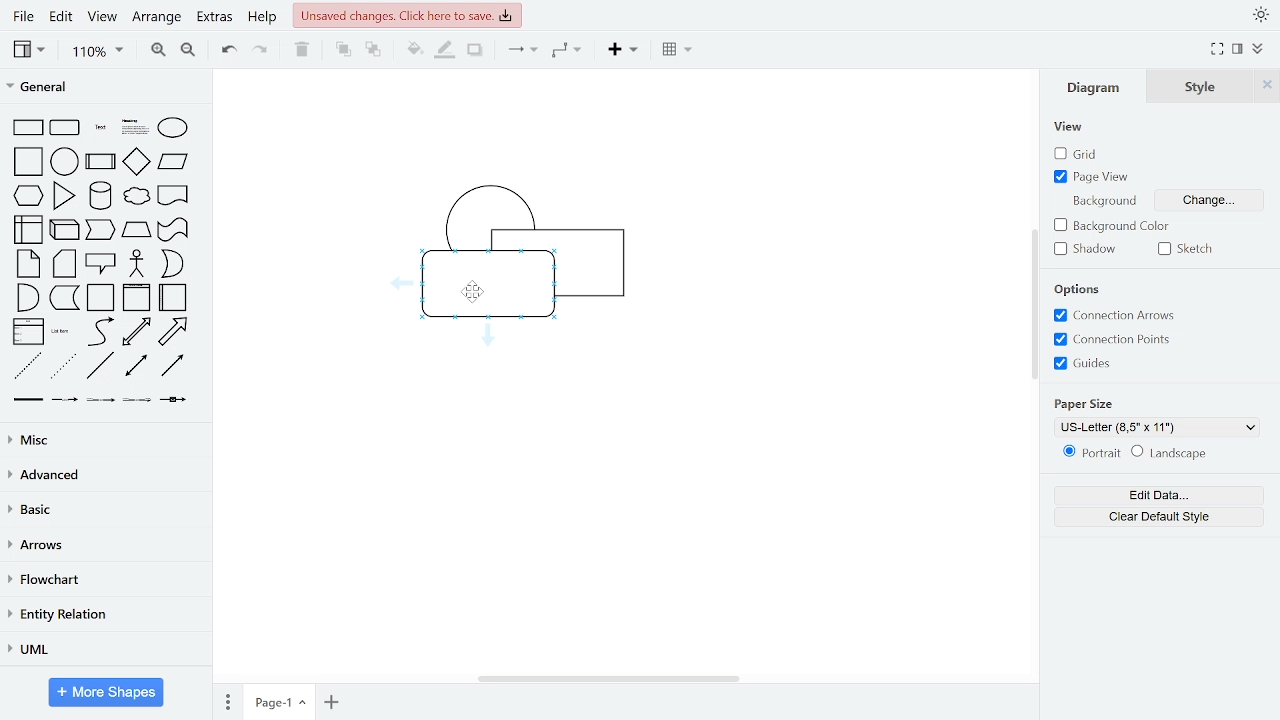 The height and width of the screenshot is (720, 1280). I want to click on arrow, so click(172, 333).